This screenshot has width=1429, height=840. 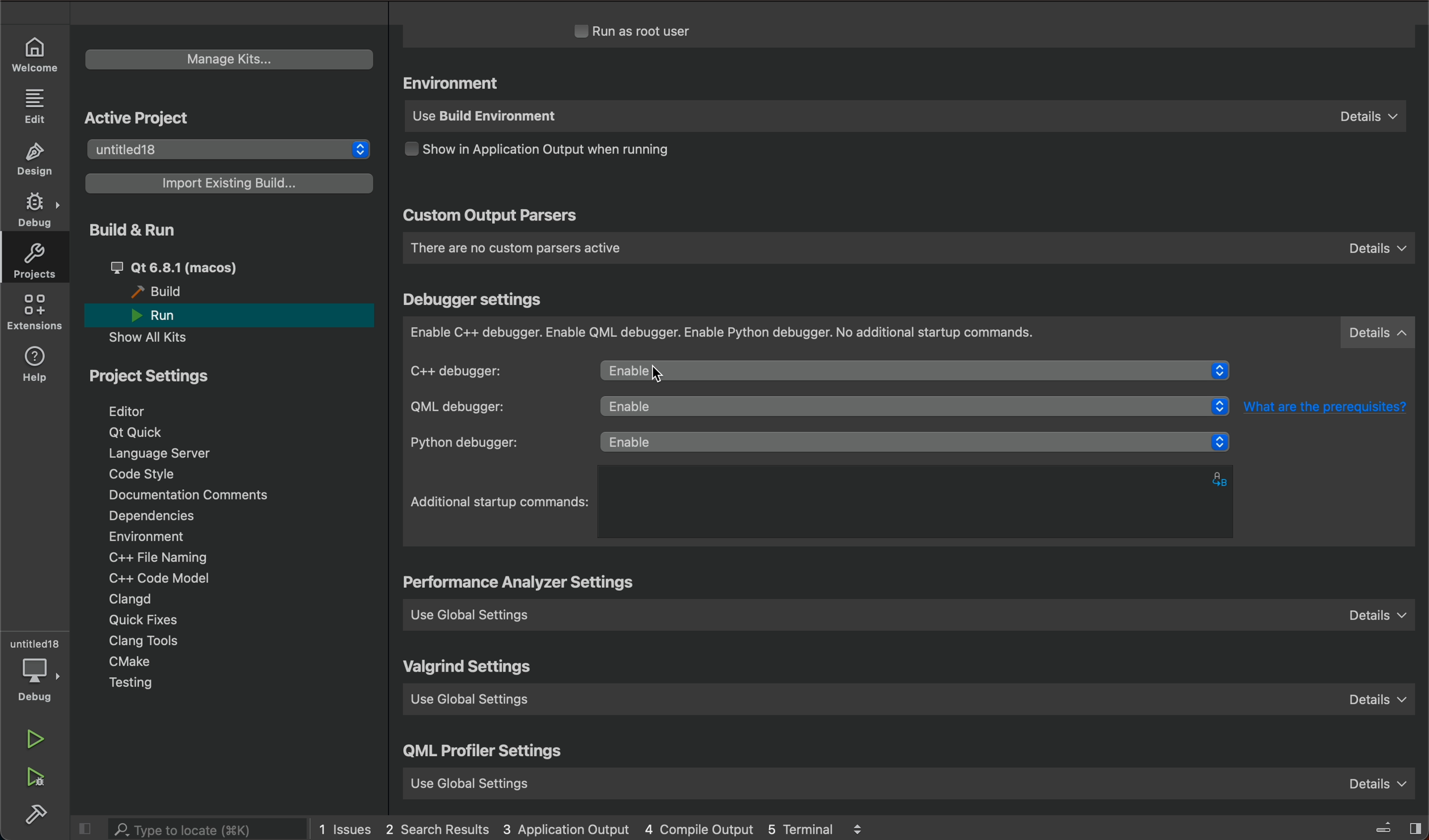 What do you see at coordinates (913, 703) in the screenshot?
I see `use global setting ` at bounding box center [913, 703].